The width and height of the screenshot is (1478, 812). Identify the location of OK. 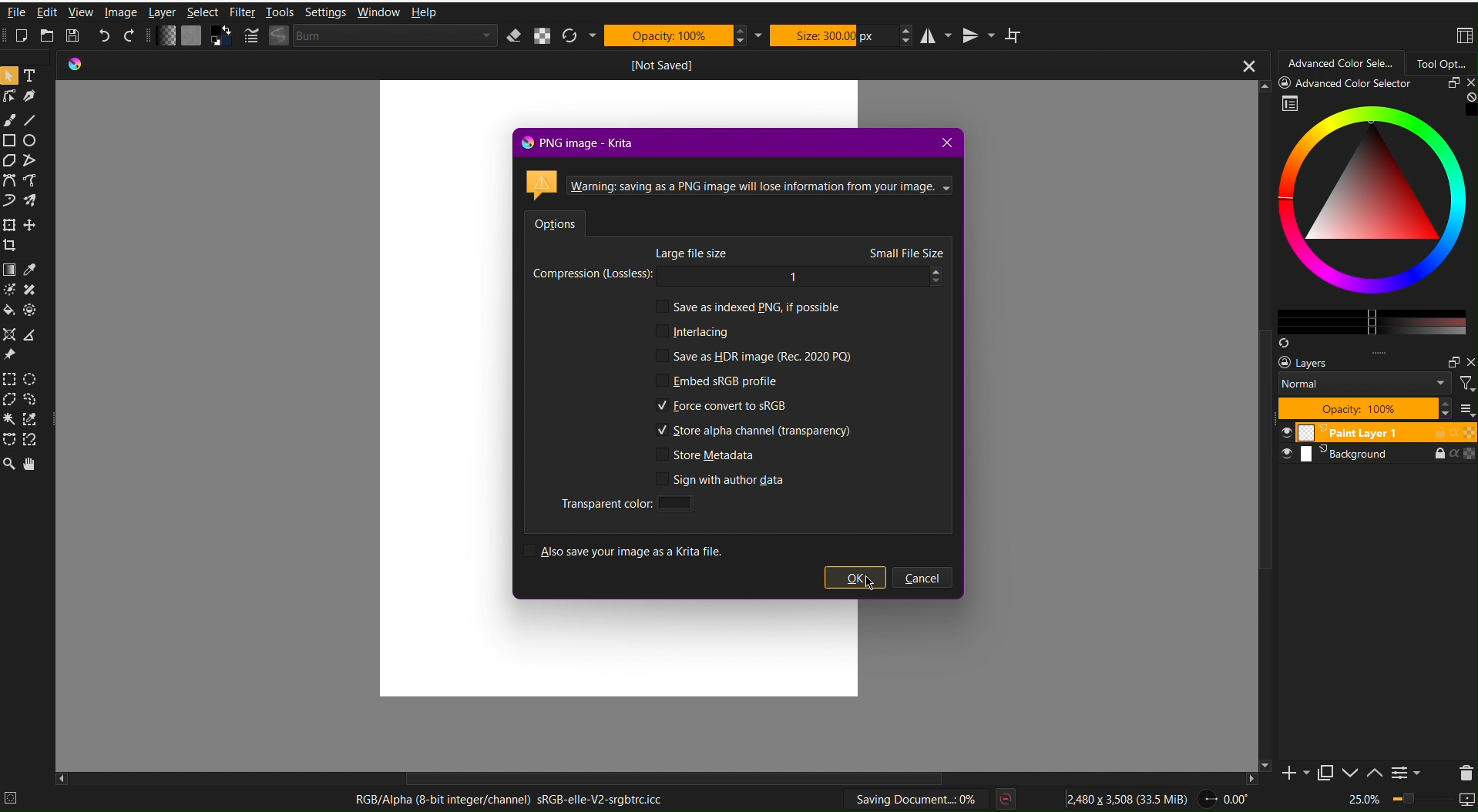
(855, 578).